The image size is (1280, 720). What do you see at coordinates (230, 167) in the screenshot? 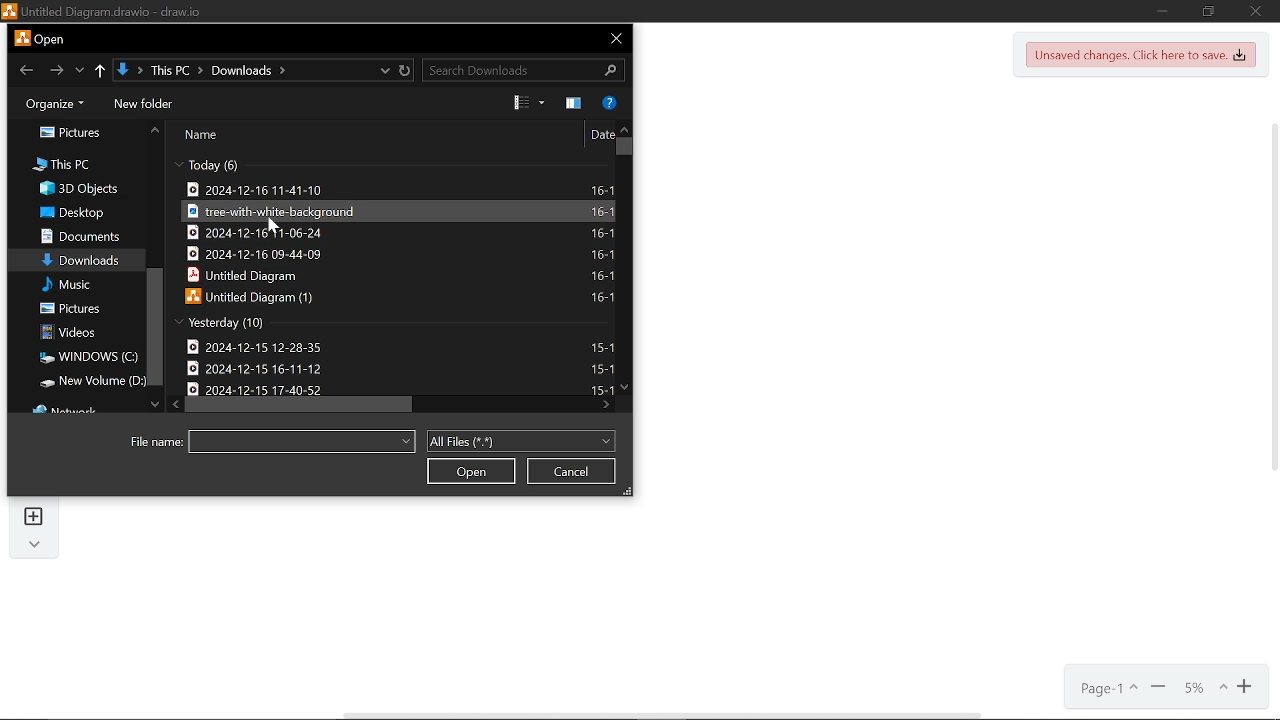
I see `number of files created ` at bounding box center [230, 167].